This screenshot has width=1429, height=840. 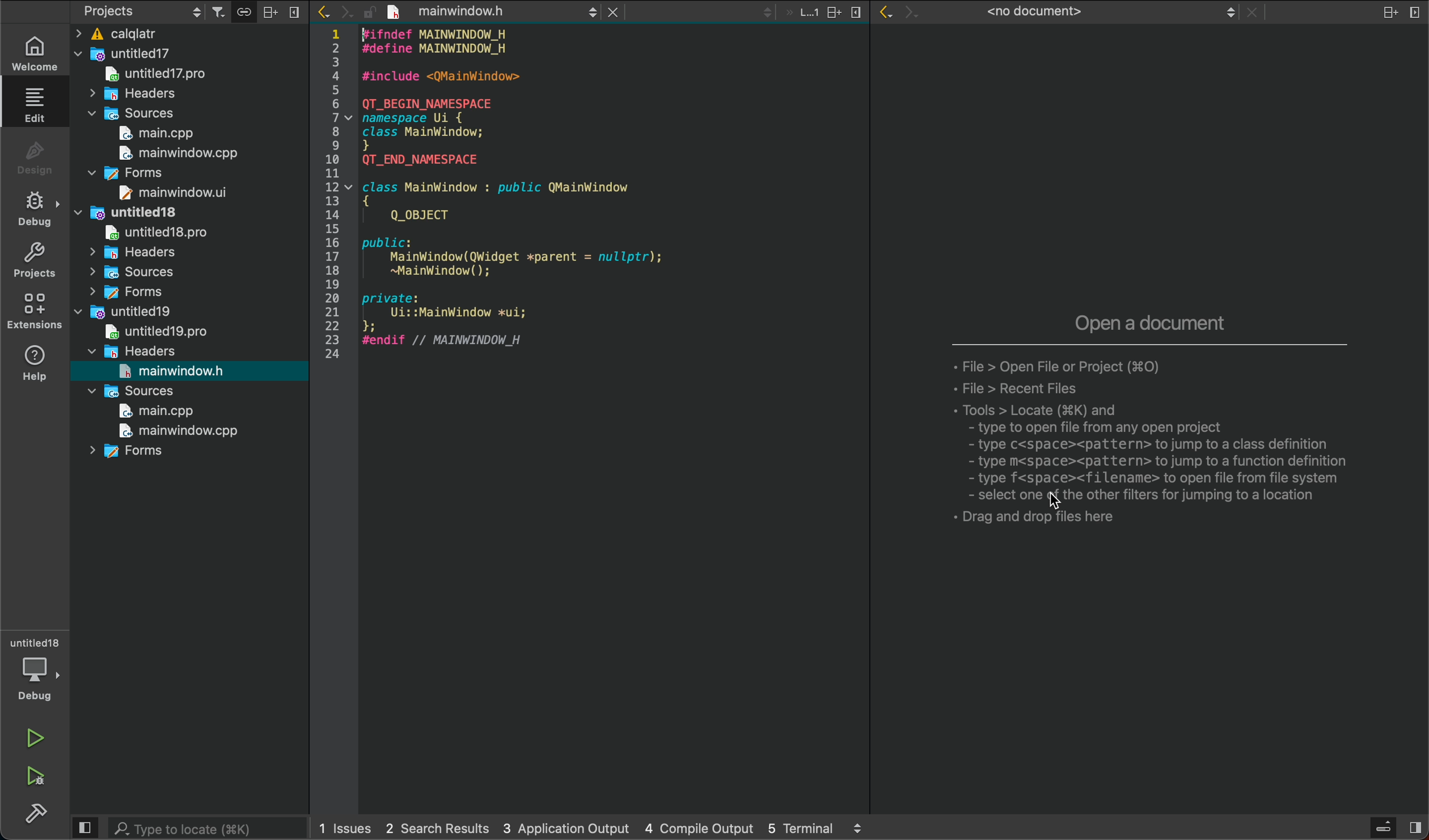 What do you see at coordinates (180, 155) in the screenshot?
I see `mainwindow.cpp` at bounding box center [180, 155].